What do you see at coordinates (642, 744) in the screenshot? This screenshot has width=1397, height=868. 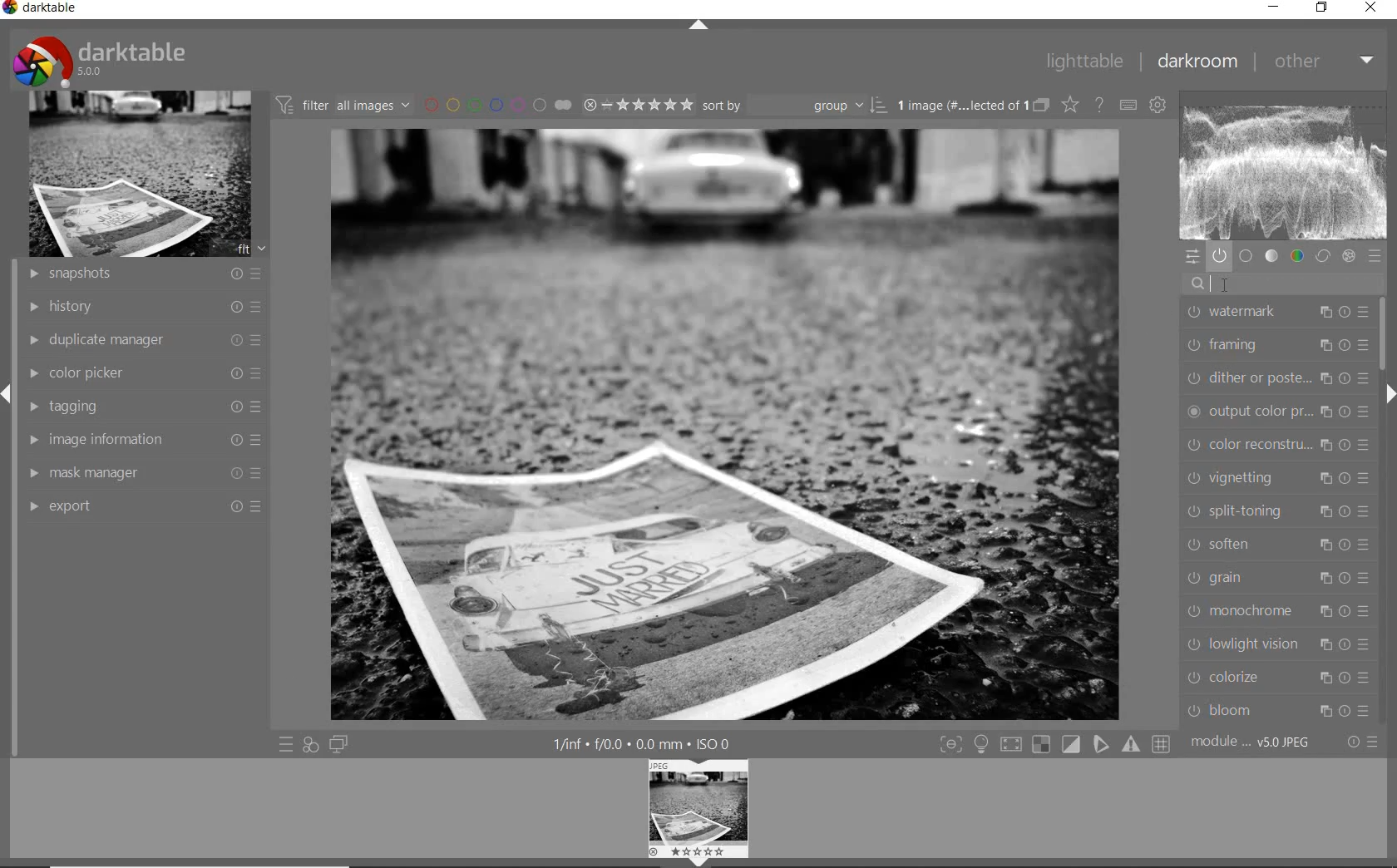 I see `other interface detail` at bounding box center [642, 744].